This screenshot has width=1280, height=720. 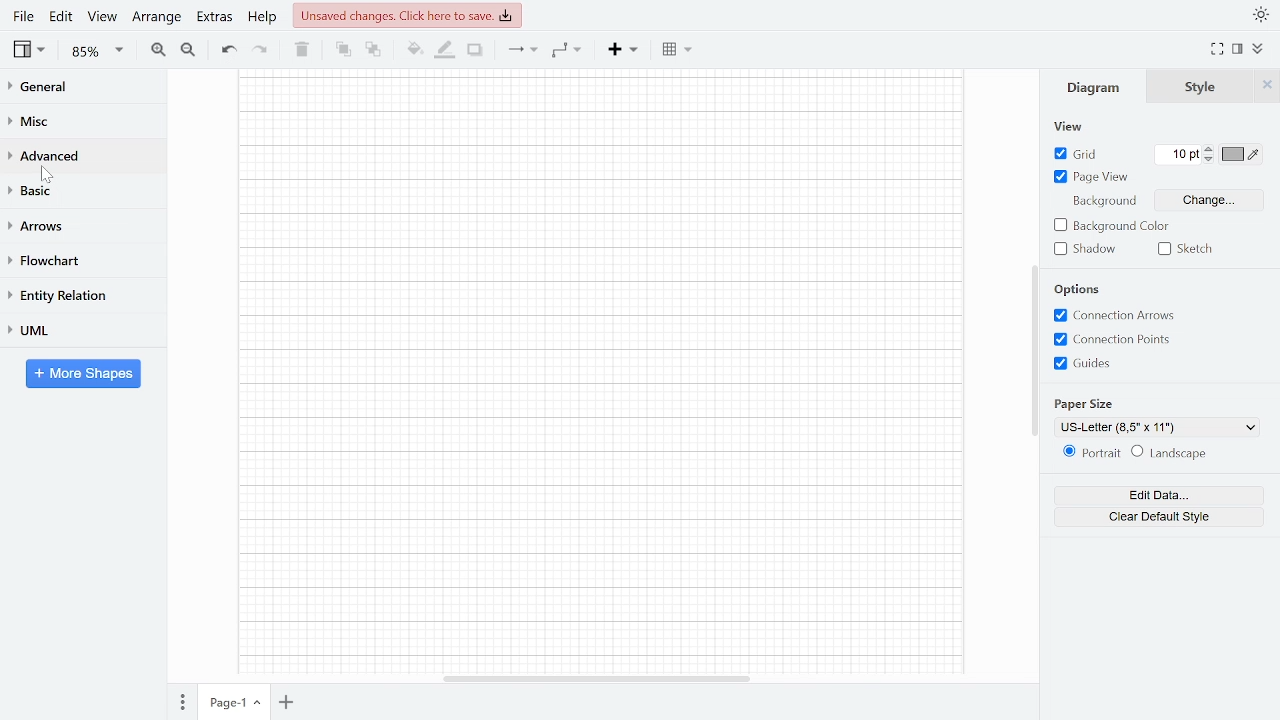 What do you see at coordinates (25, 16) in the screenshot?
I see `File` at bounding box center [25, 16].